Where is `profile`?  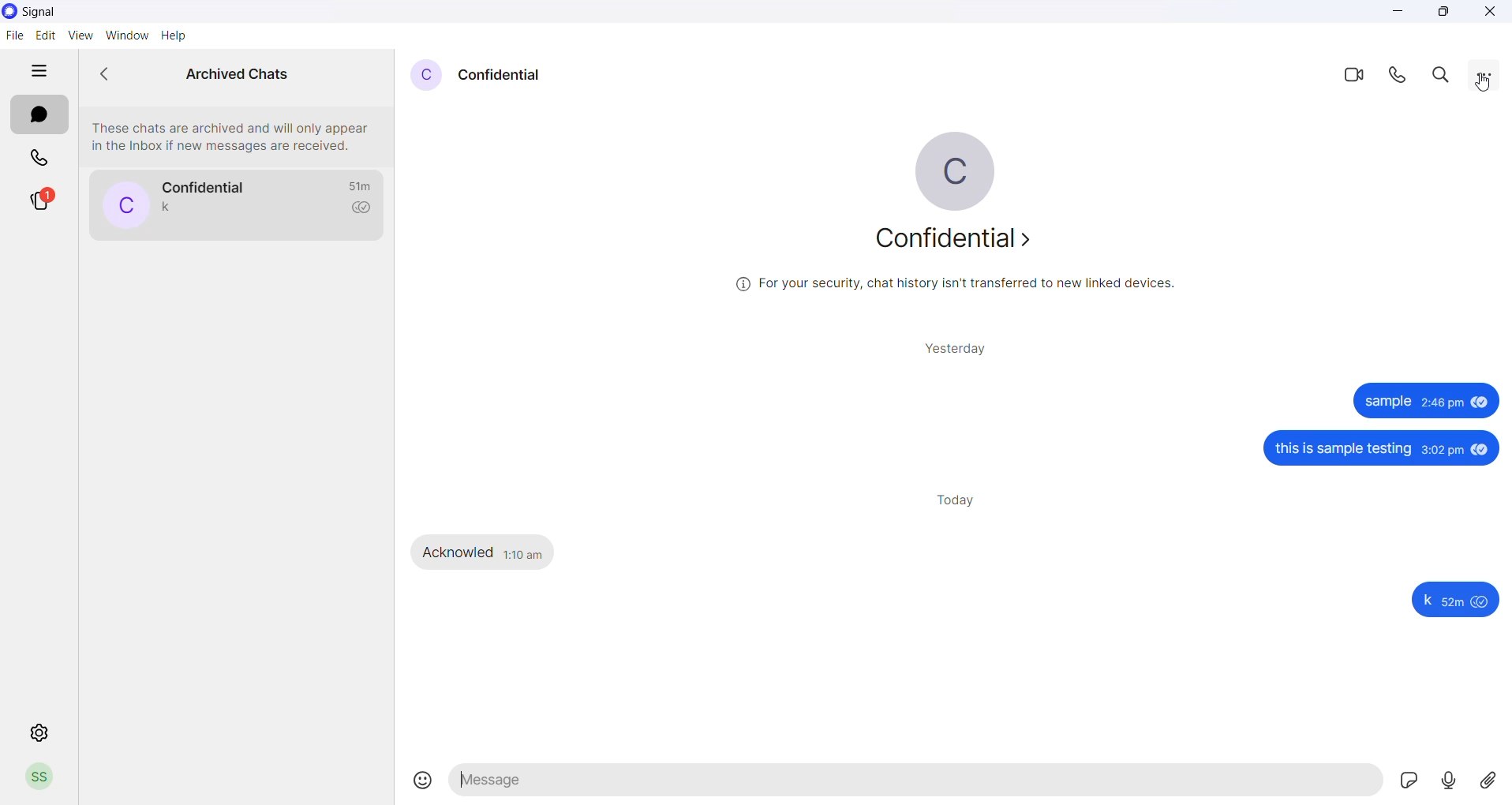 profile is located at coordinates (43, 775).